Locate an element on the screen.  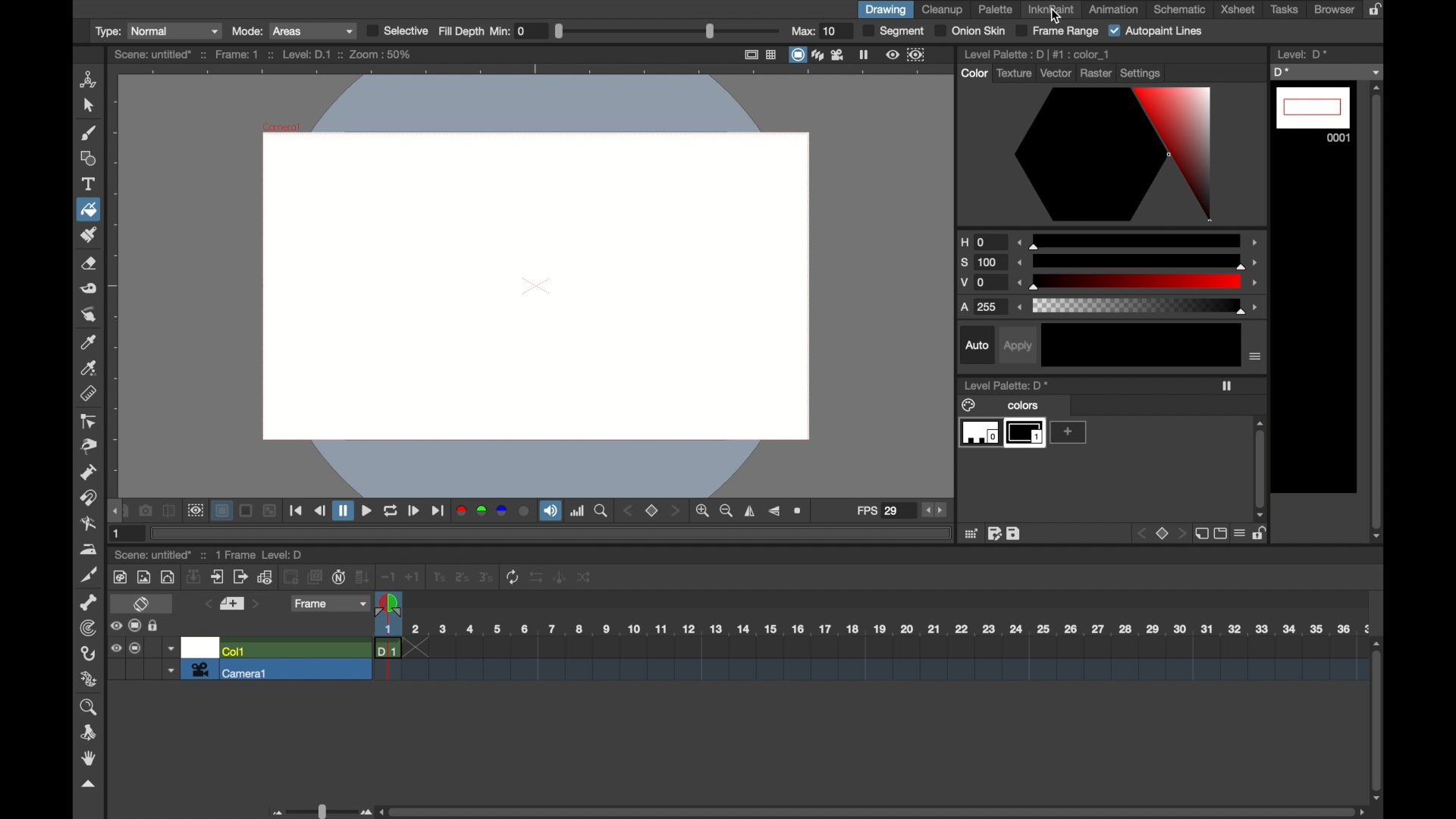
eye is located at coordinates (115, 648).